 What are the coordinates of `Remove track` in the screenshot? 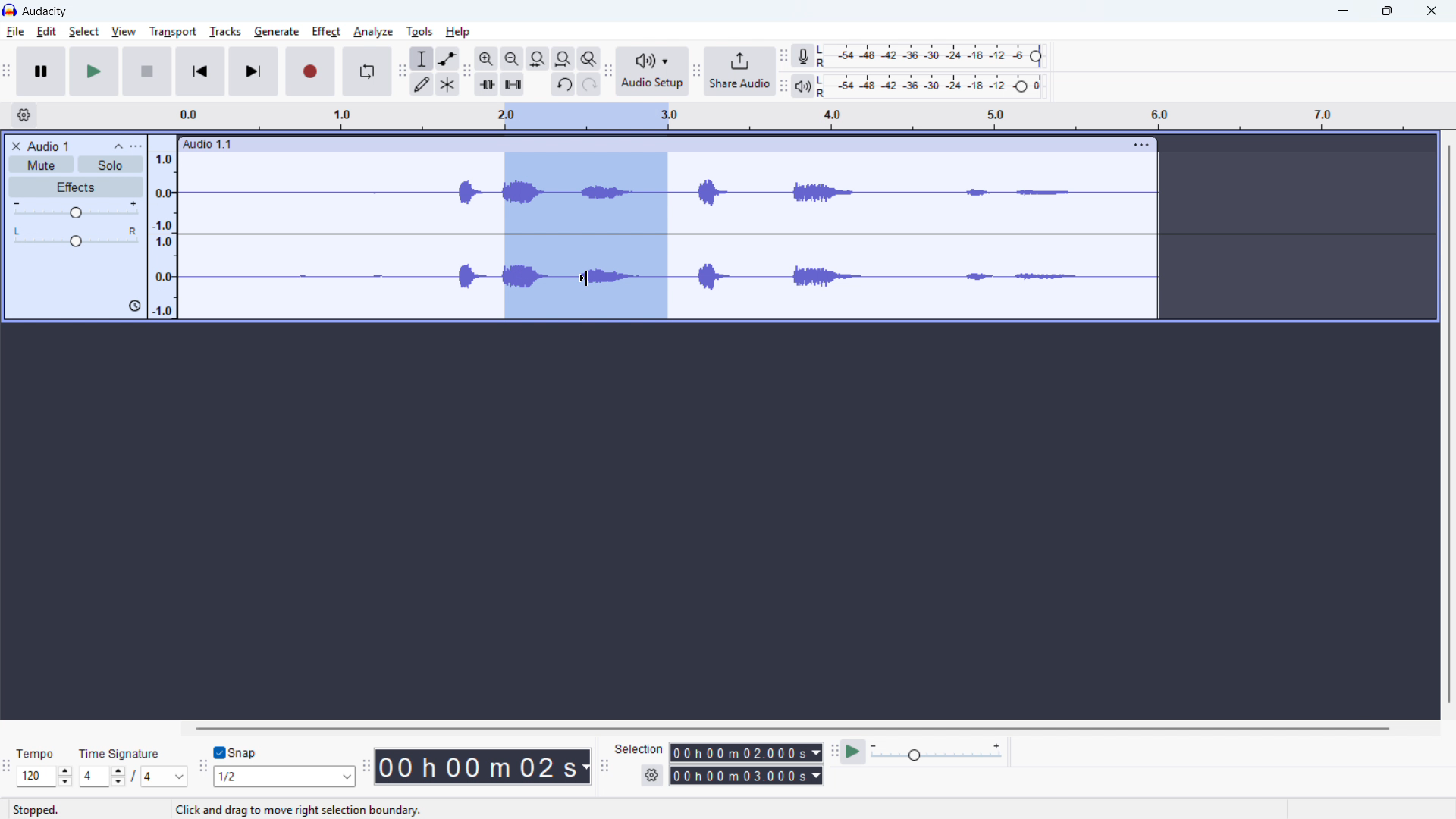 It's located at (16, 146).